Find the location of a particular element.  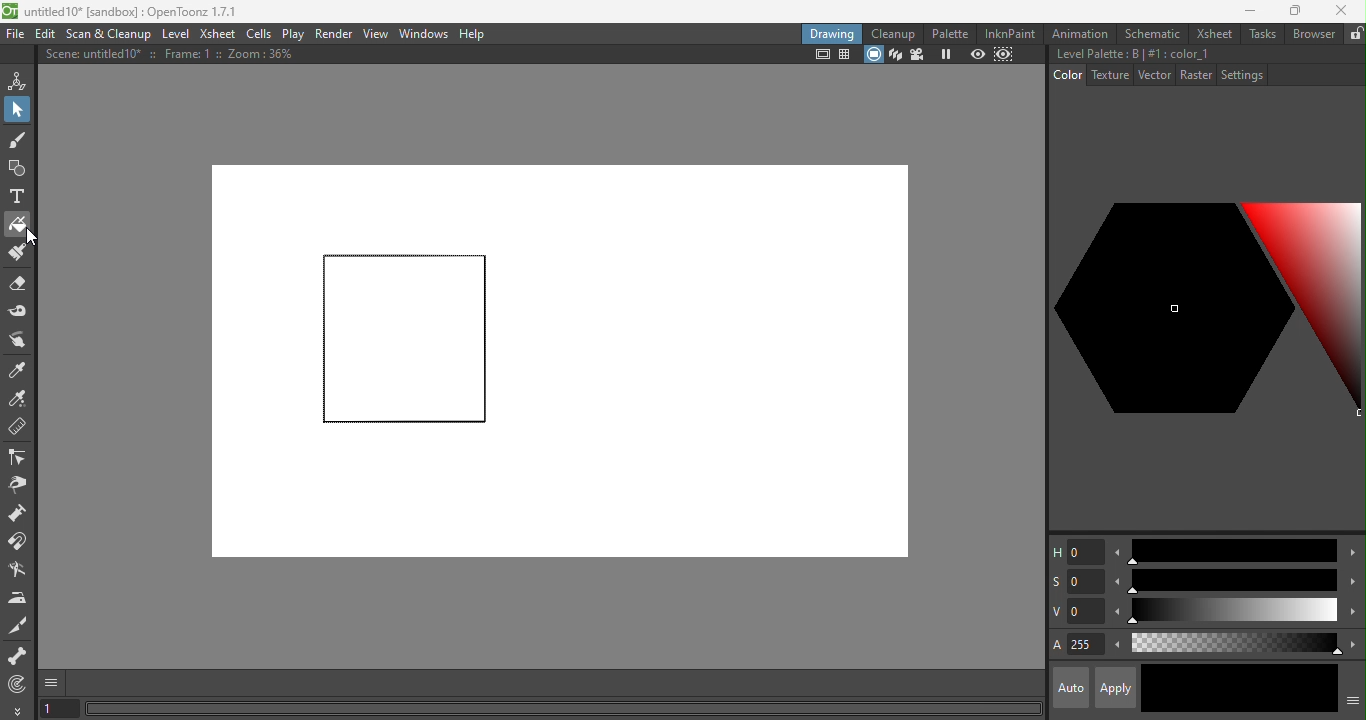

Eraser is located at coordinates (17, 287).